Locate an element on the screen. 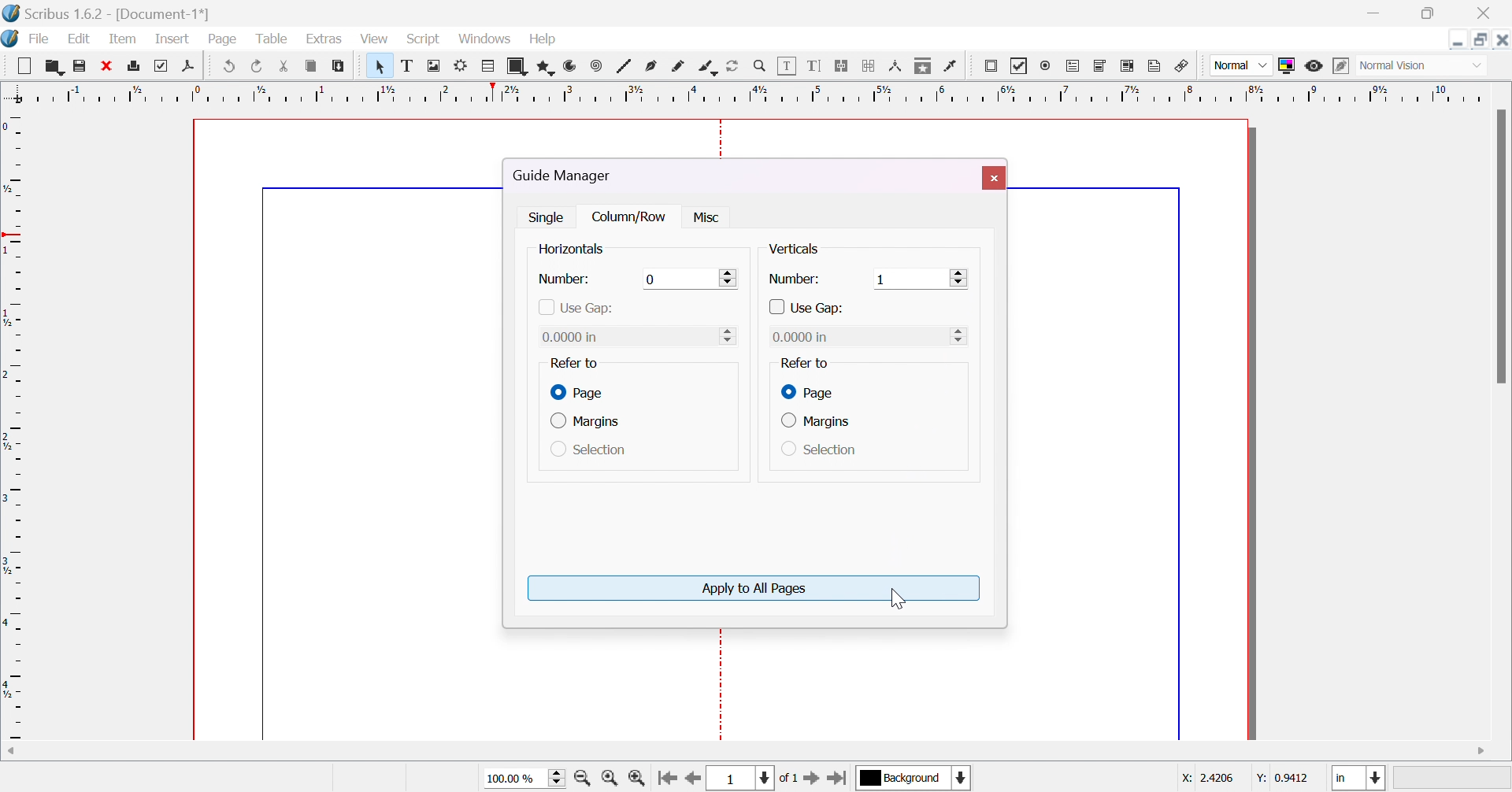 The height and width of the screenshot is (792, 1512). bezier curve is located at coordinates (652, 67).